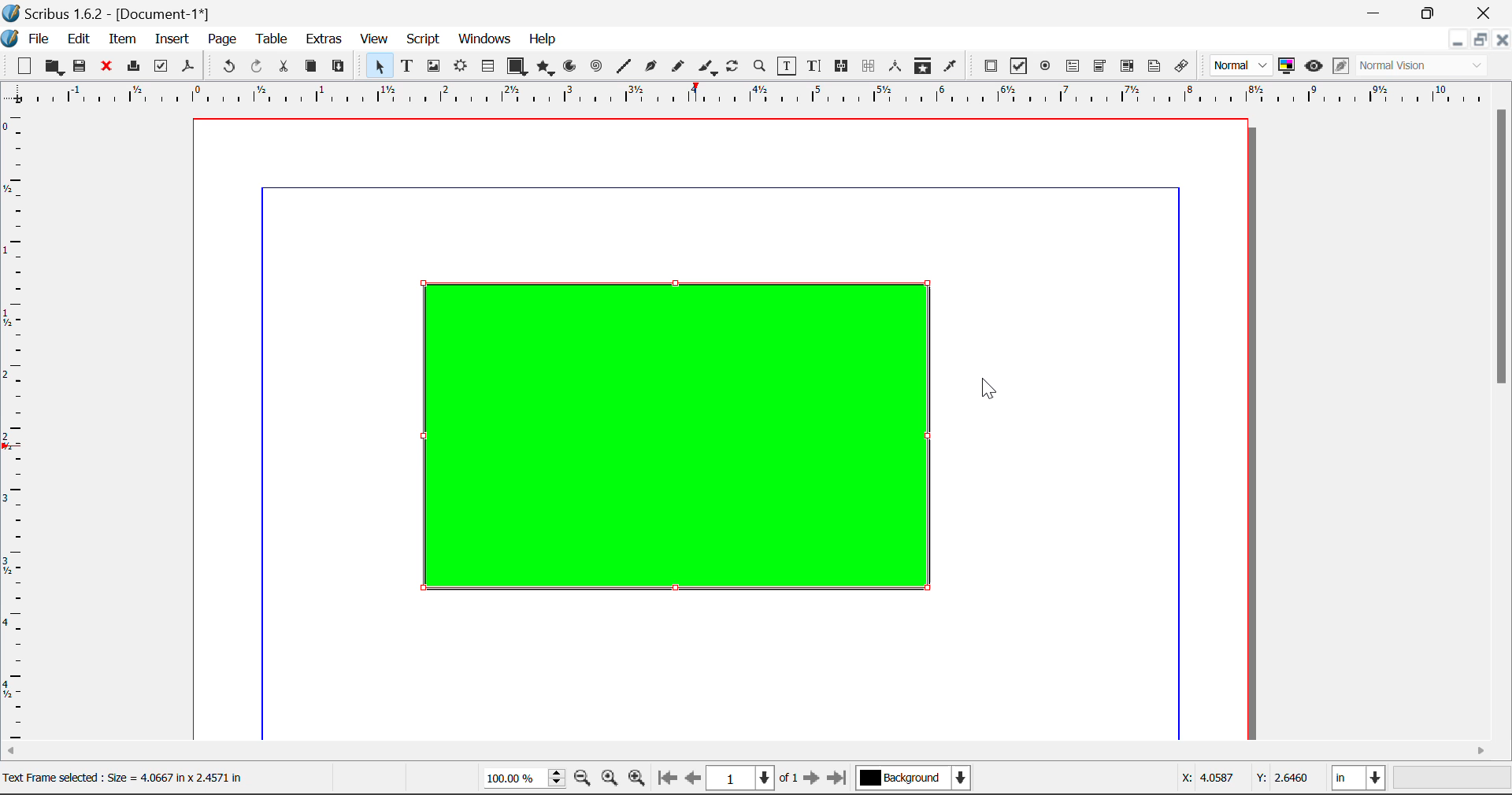 This screenshot has height=795, width=1512. What do you see at coordinates (188, 67) in the screenshot?
I see `Save as Pdf` at bounding box center [188, 67].